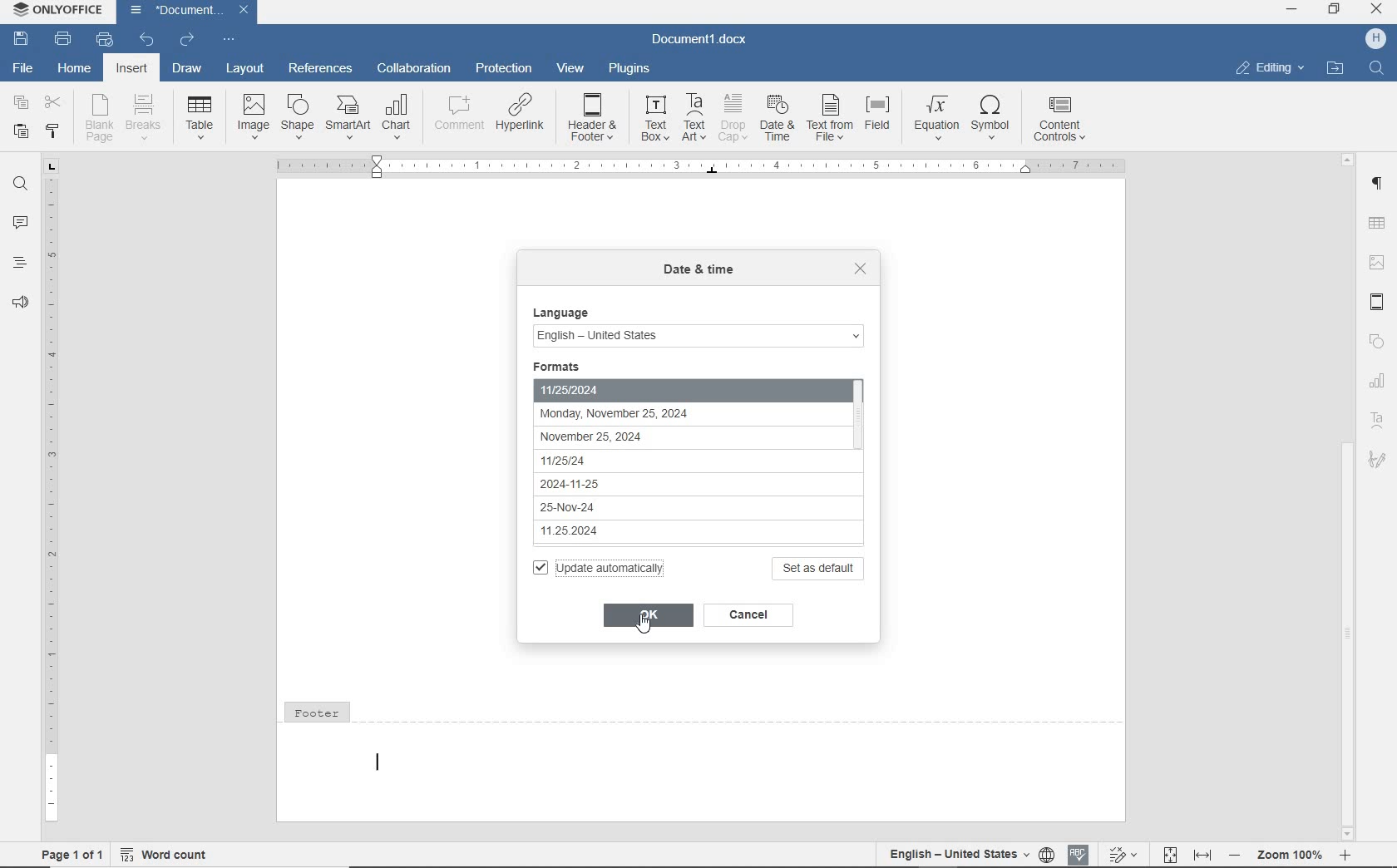  What do you see at coordinates (254, 116) in the screenshot?
I see `image` at bounding box center [254, 116].